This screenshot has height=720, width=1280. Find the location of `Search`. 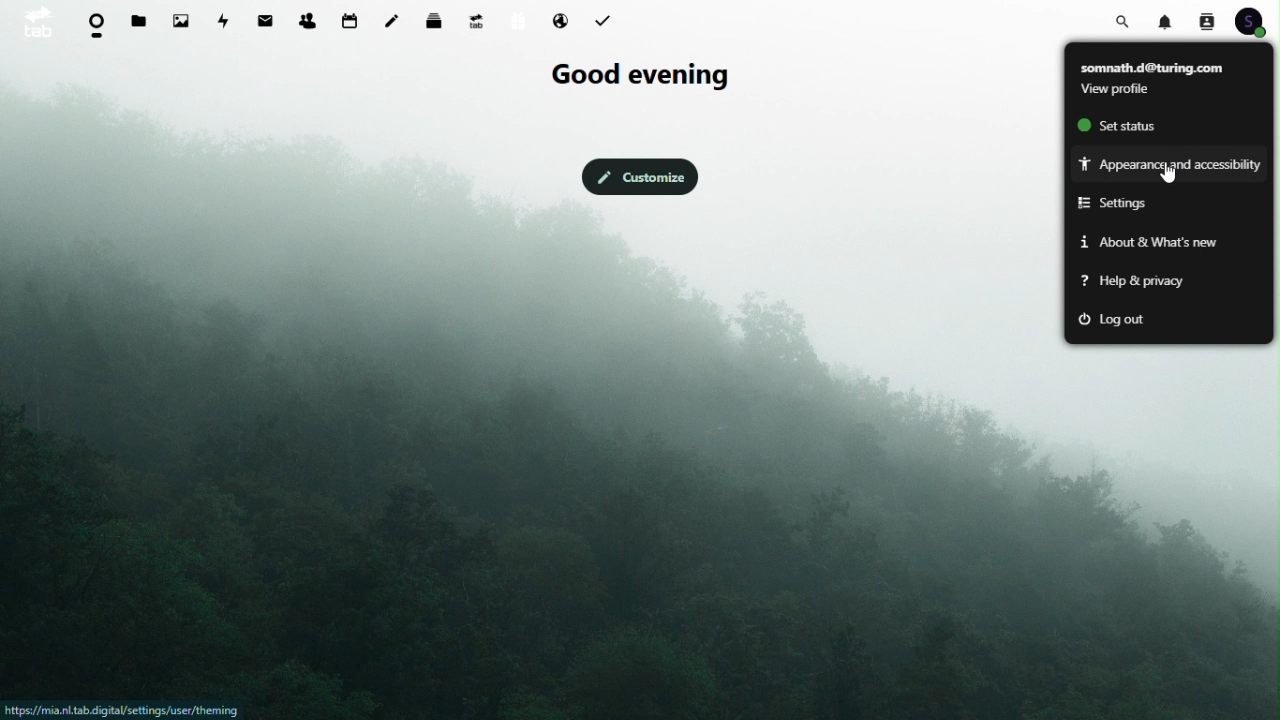

Search is located at coordinates (1126, 19).